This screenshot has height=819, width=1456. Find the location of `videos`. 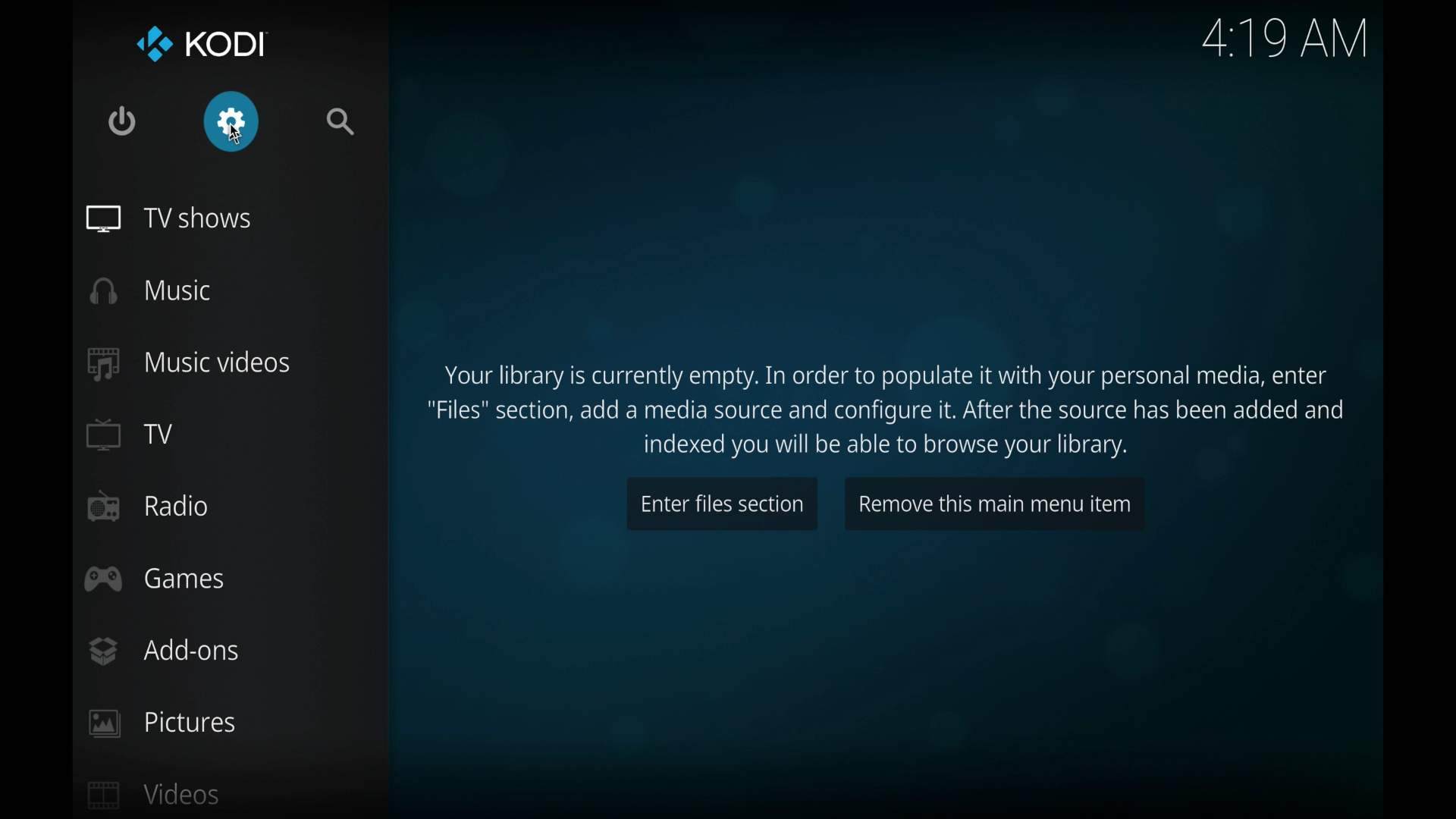

videos is located at coordinates (154, 794).